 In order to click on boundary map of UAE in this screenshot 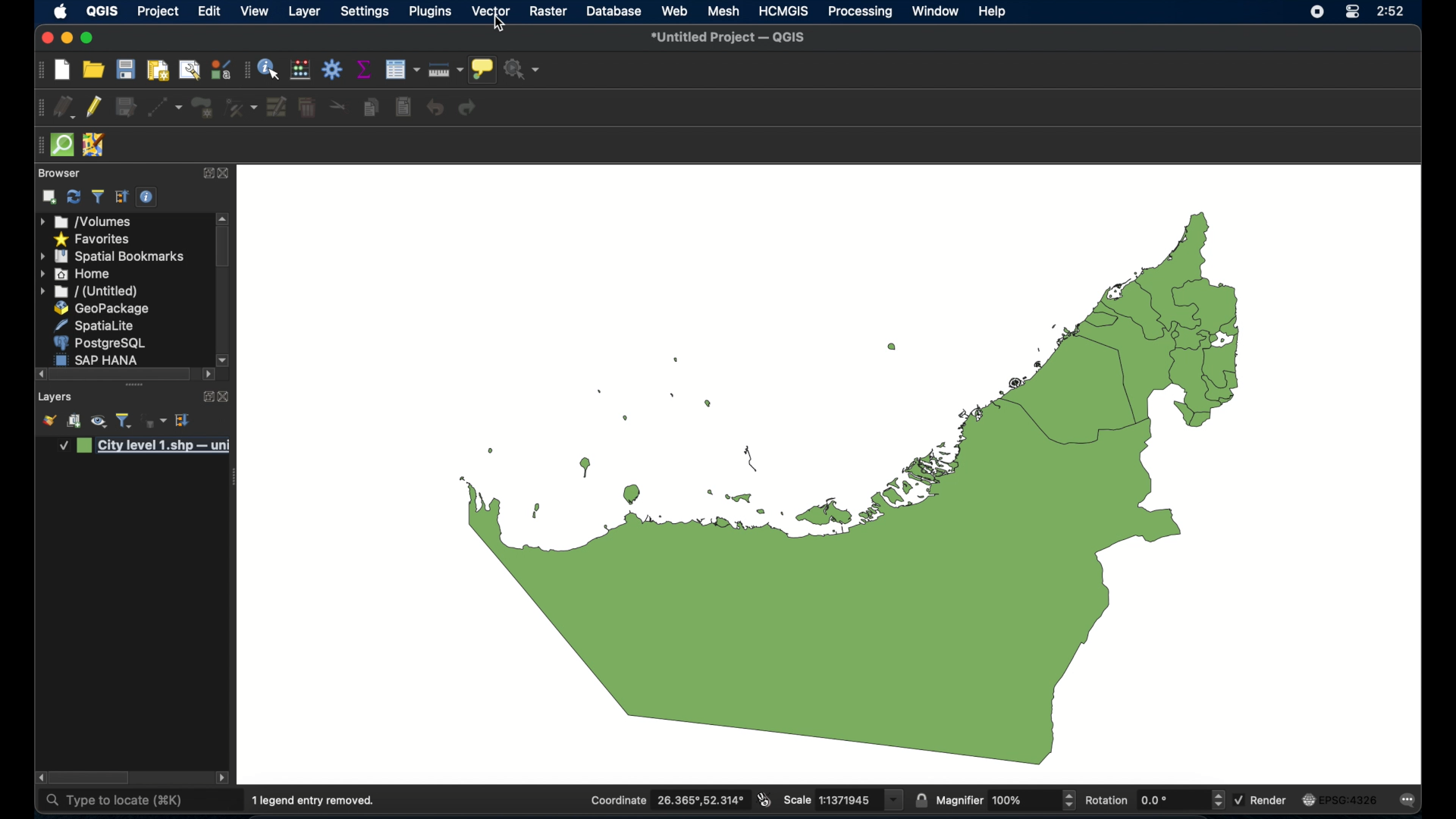, I will do `click(848, 483)`.